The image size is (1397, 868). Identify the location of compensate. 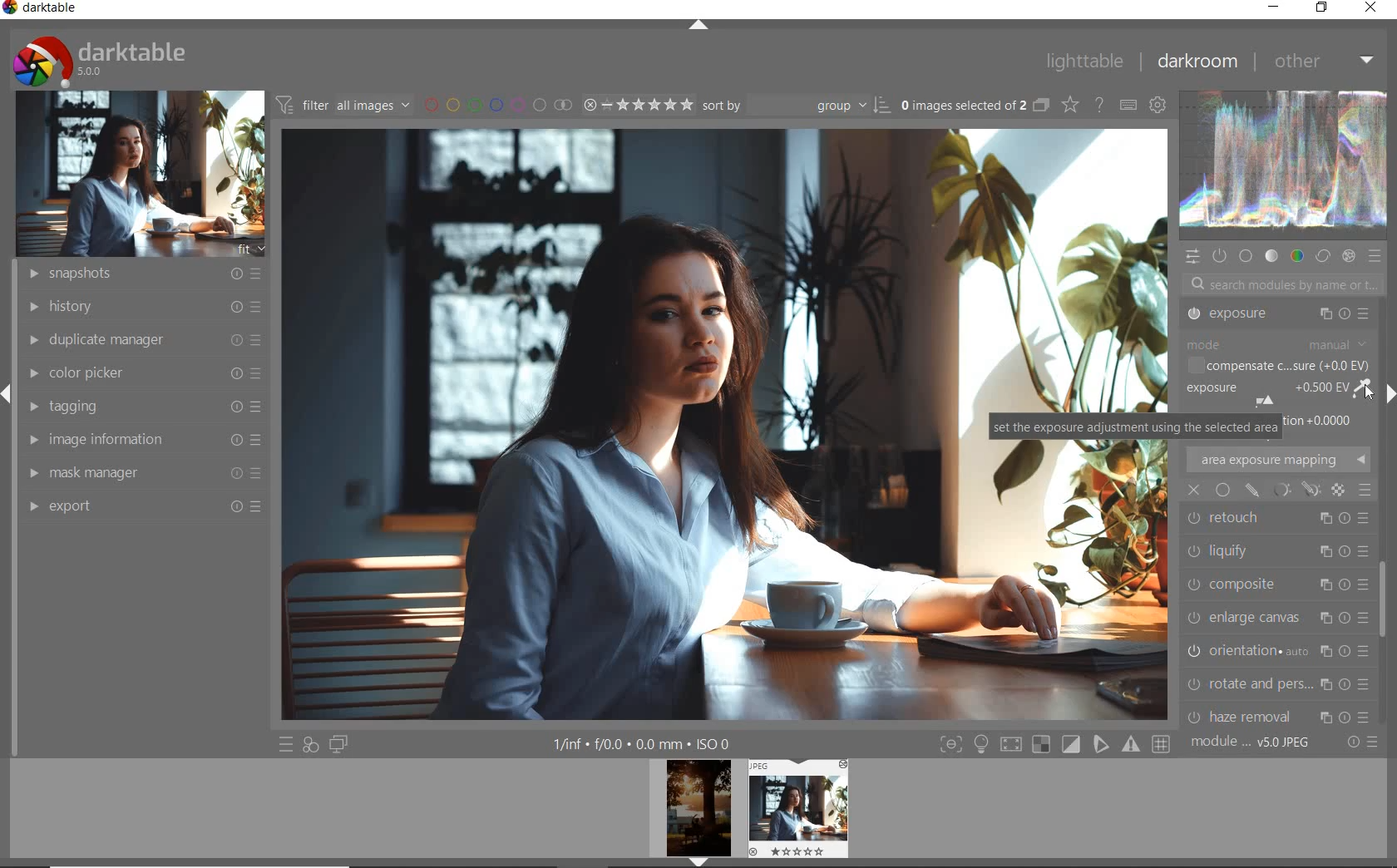
(1281, 363).